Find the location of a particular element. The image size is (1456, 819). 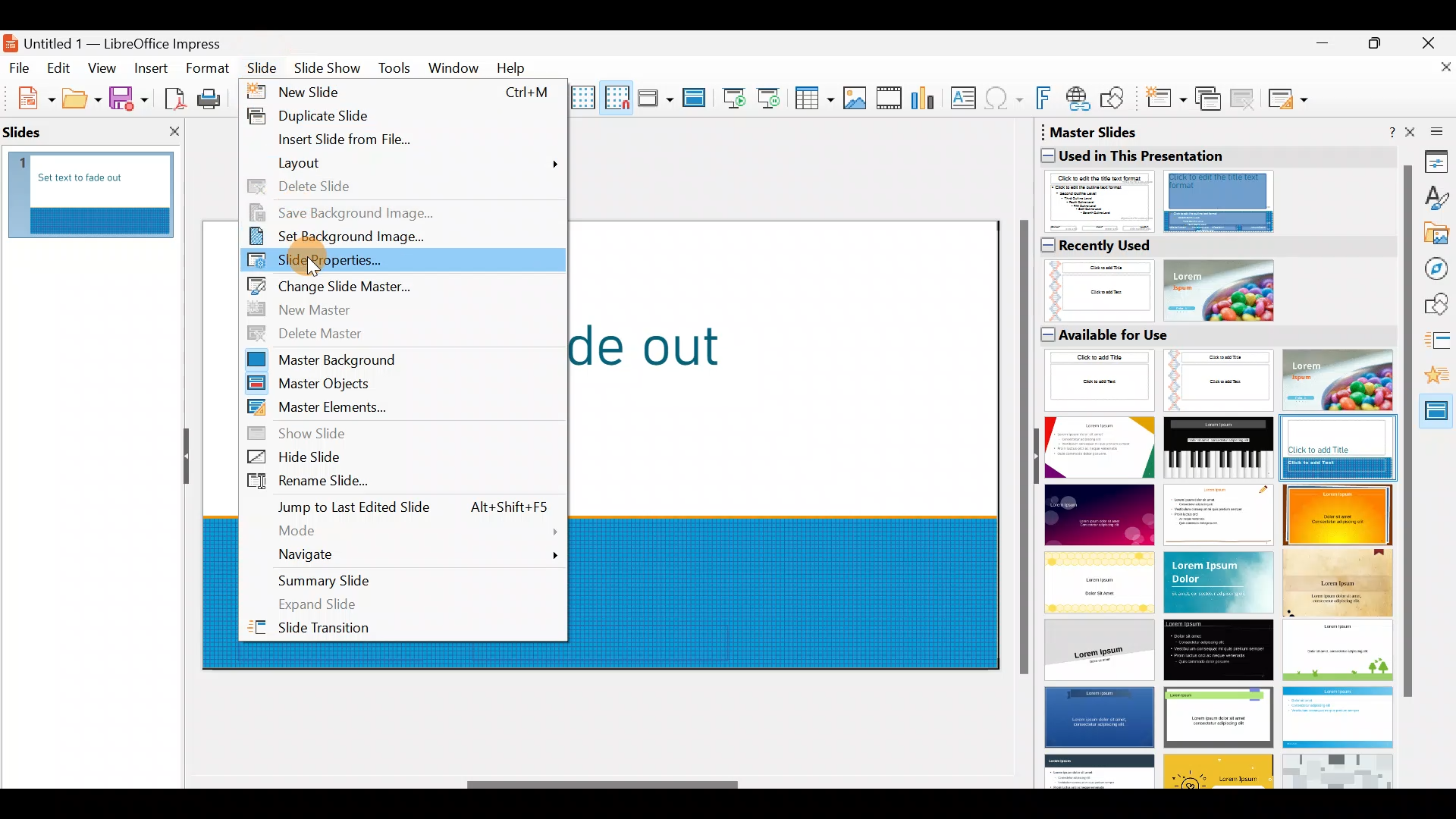

Cursor is located at coordinates (314, 268).